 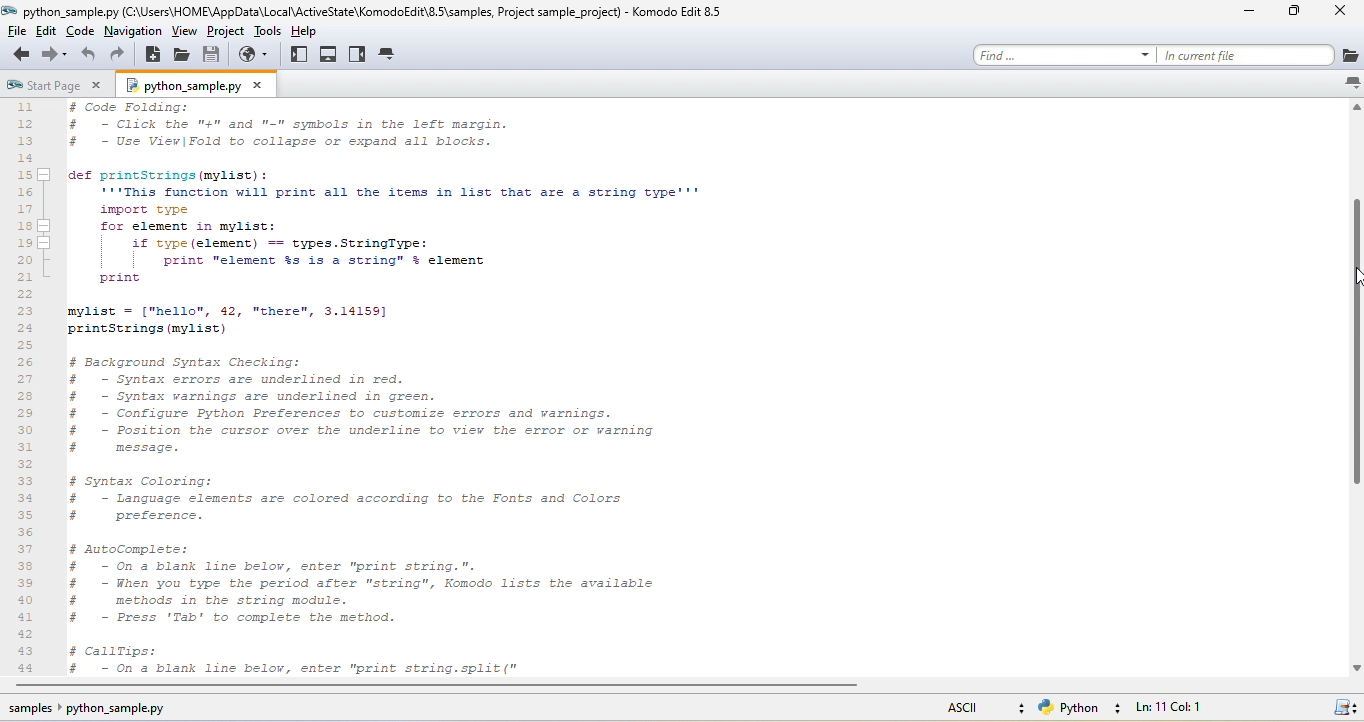 I want to click on horizontal scroll bar, so click(x=453, y=688).